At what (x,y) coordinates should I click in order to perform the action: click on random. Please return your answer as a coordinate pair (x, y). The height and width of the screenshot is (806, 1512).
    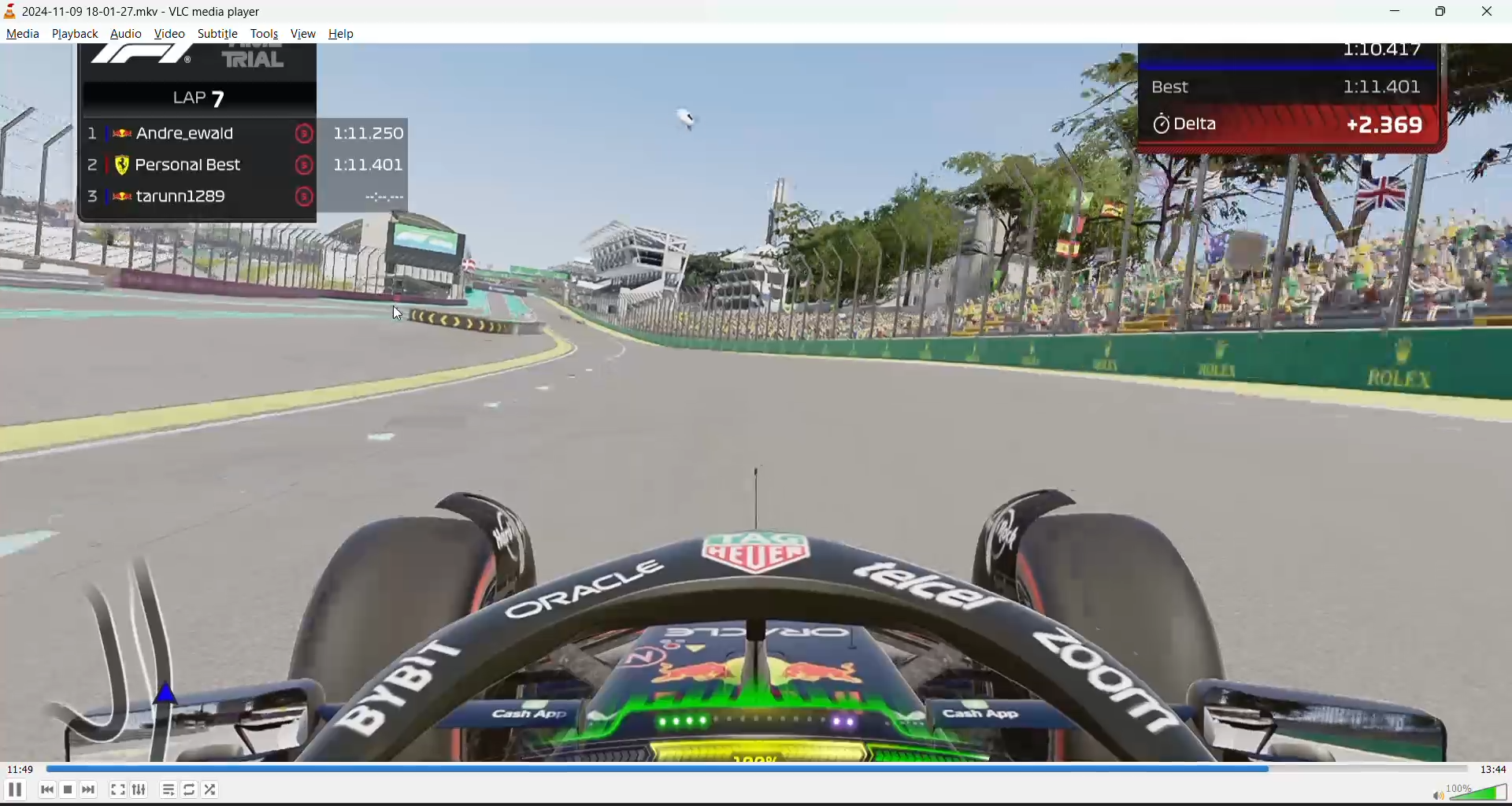
    Looking at the image, I should click on (215, 788).